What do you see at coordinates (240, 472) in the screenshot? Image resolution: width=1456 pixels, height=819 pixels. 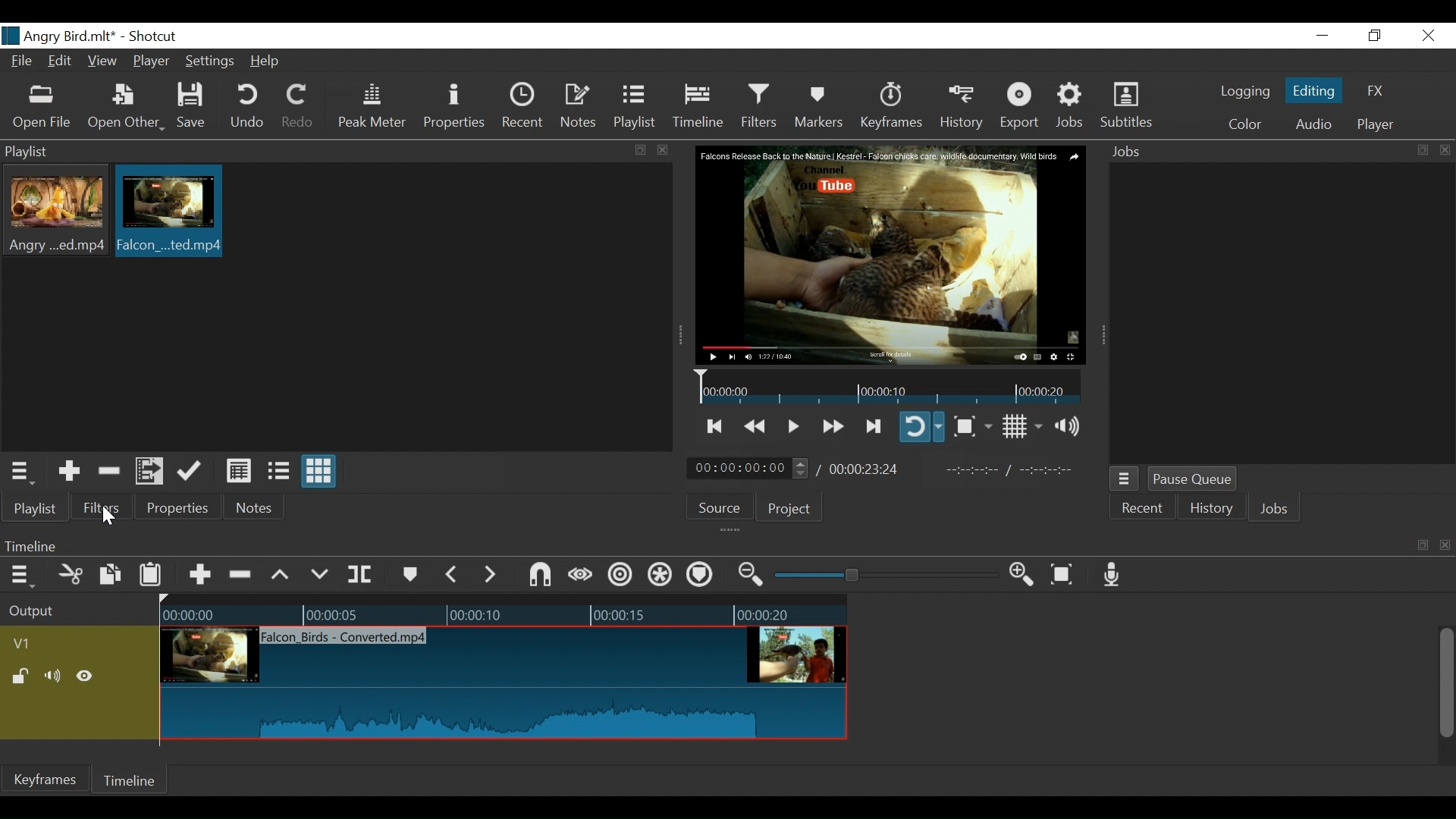 I see `View as details` at bounding box center [240, 472].